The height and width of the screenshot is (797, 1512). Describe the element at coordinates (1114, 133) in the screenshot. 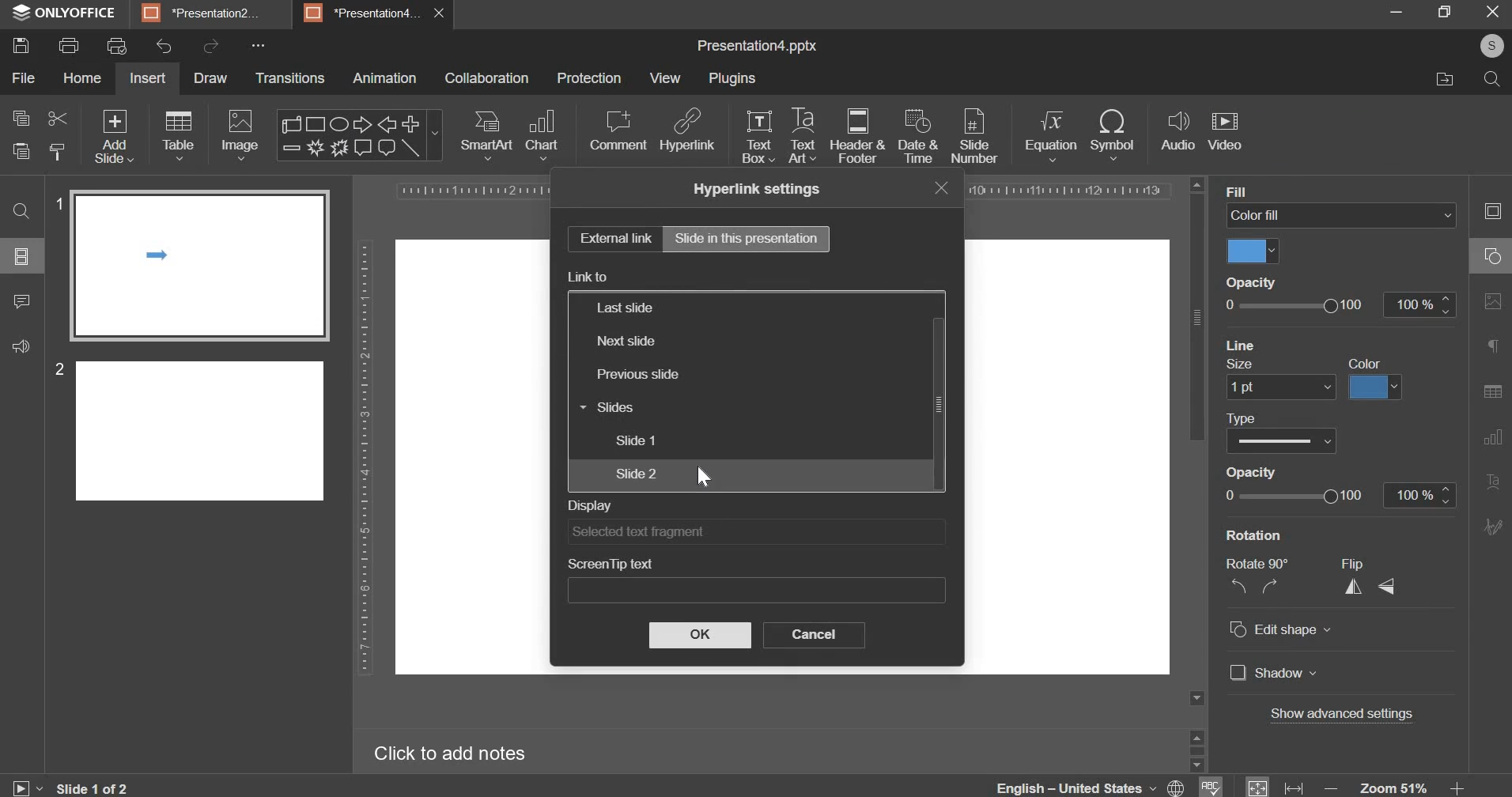

I see `symbol` at that location.